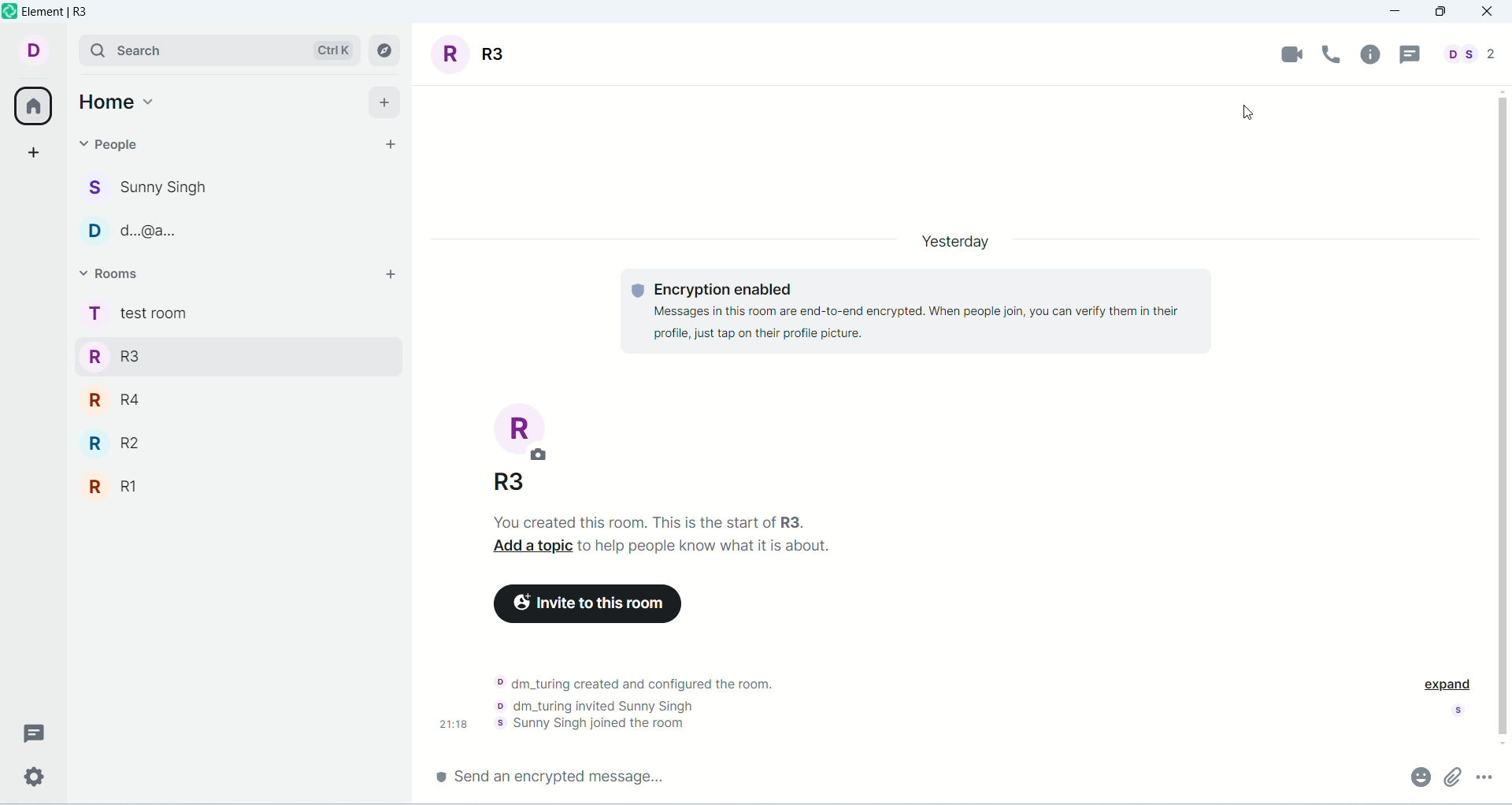 This screenshot has height=805, width=1512. What do you see at coordinates (476, 54) in the screenshot?
I see `room` at bounding box center [476, 54].